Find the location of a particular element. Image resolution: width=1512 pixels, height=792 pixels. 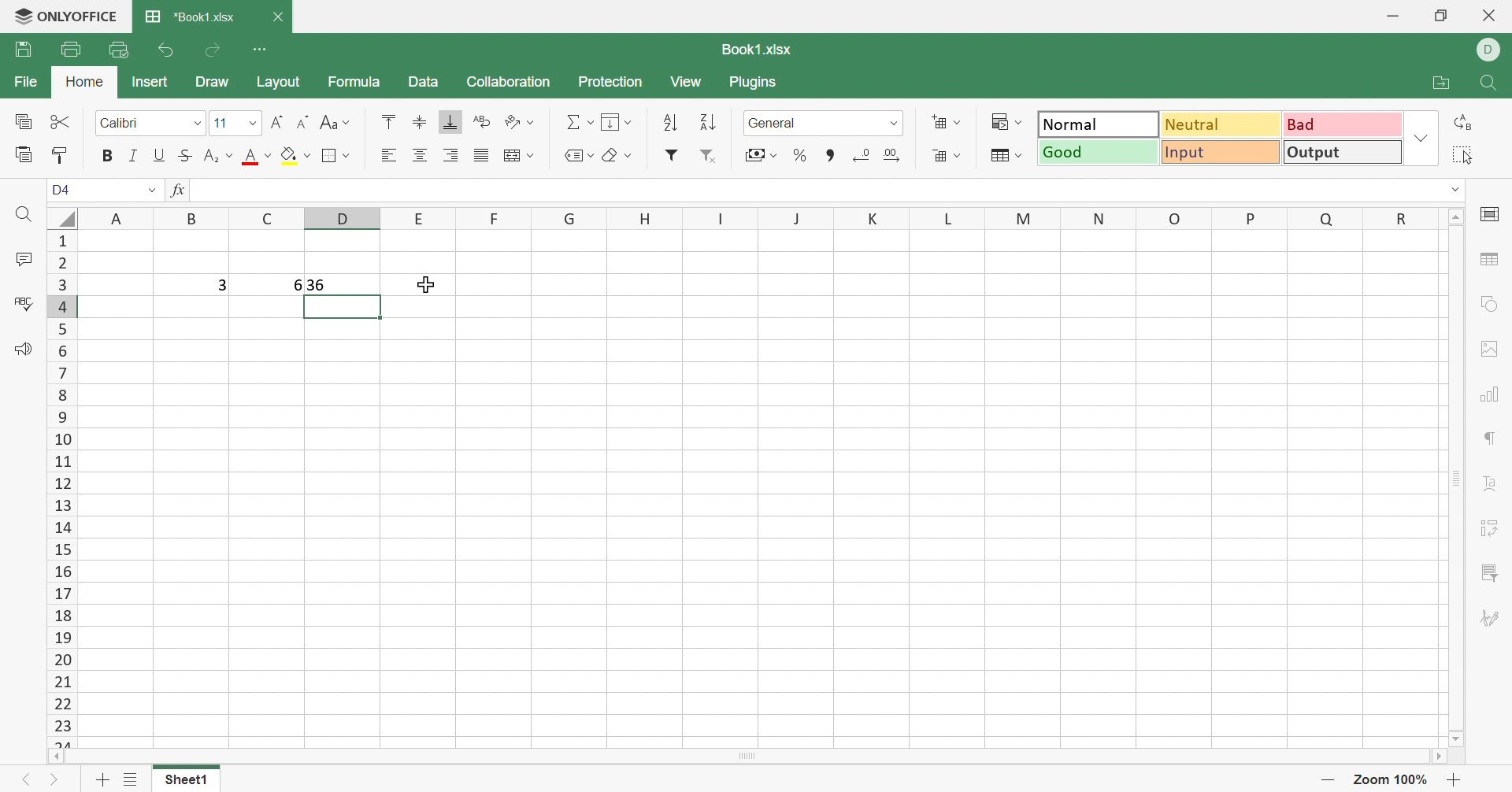

Find is located at coordinates (27, 217).